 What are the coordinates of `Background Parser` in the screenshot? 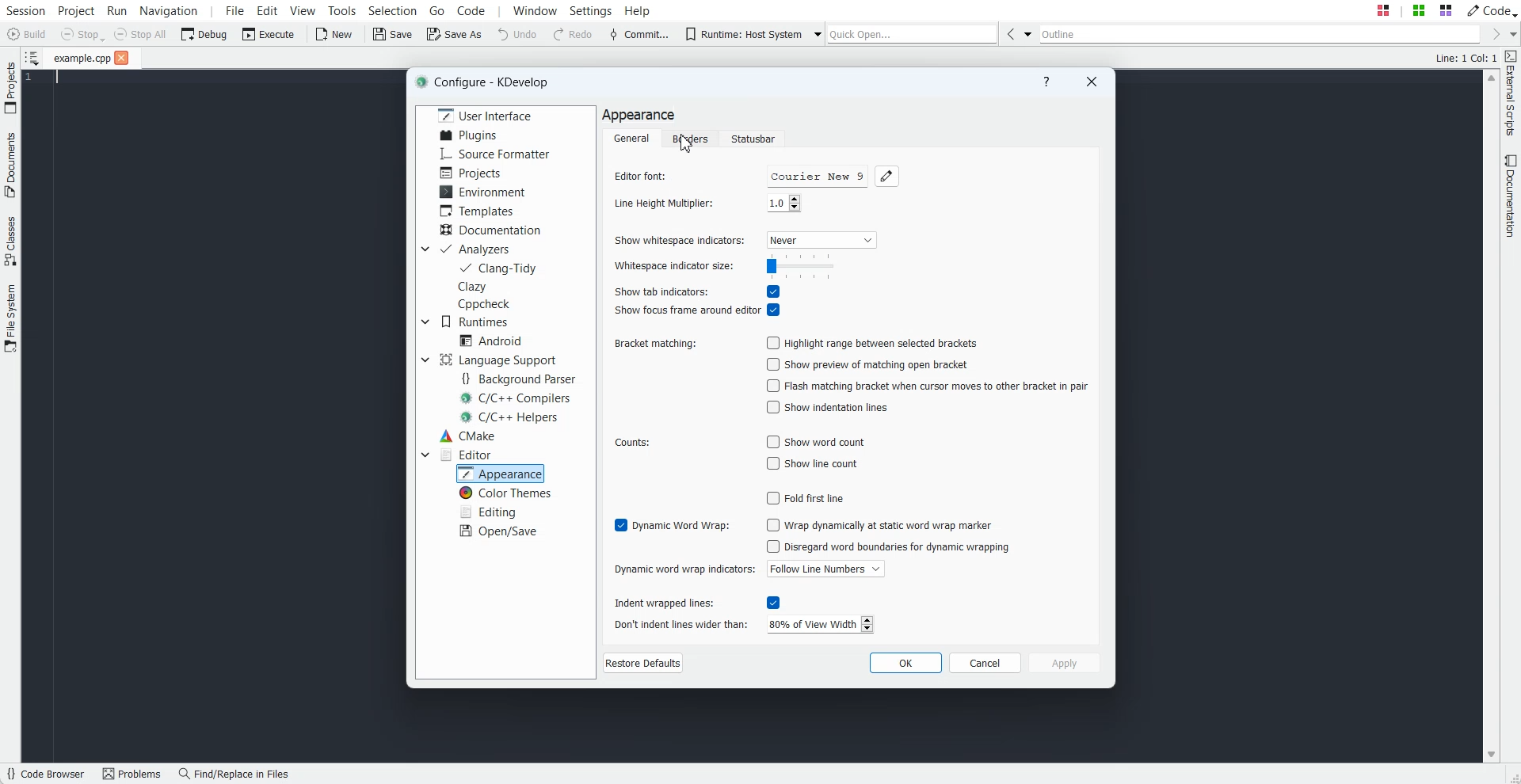 It's located at (520, 378).